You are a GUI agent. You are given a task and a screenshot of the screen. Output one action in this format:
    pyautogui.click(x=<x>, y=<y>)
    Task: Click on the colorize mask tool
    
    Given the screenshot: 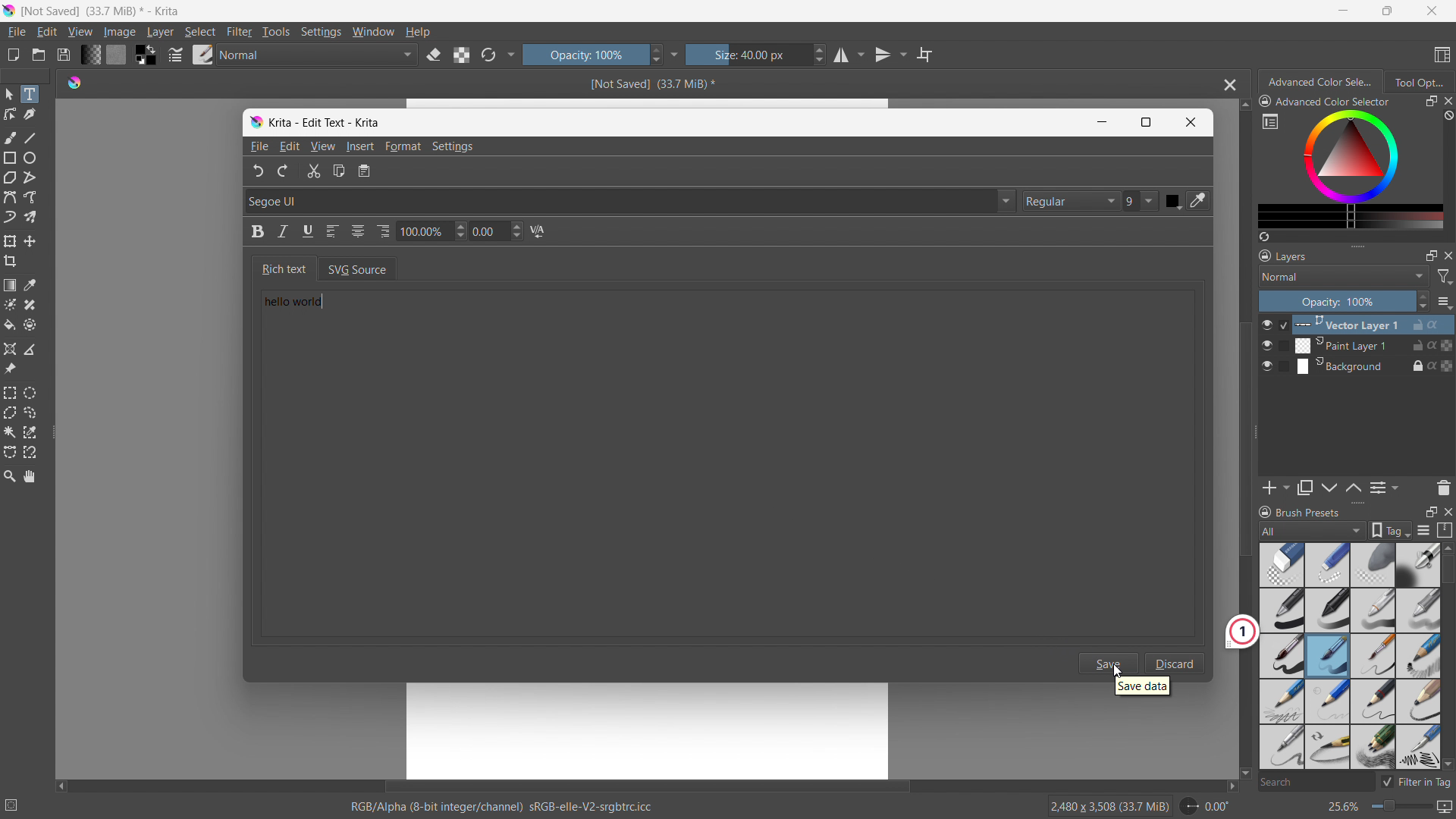 What is the action you would take?
    pyautogui.click(x=10, y=304)
    